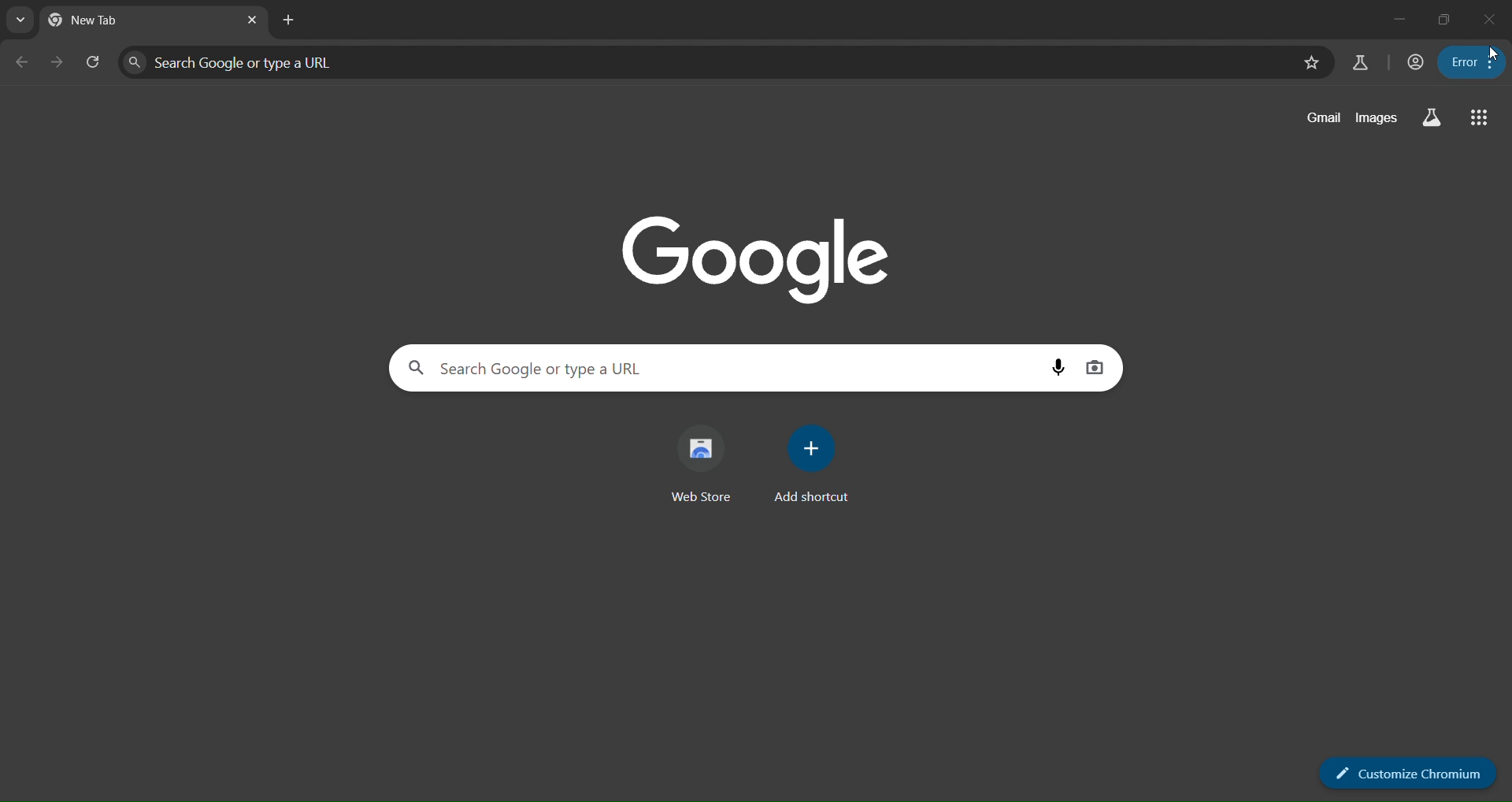 The width and height of the screenshot is (1512, 802). Describe the element at coordinates (289, 21) in the screenshot. I see `new tab` at that location.